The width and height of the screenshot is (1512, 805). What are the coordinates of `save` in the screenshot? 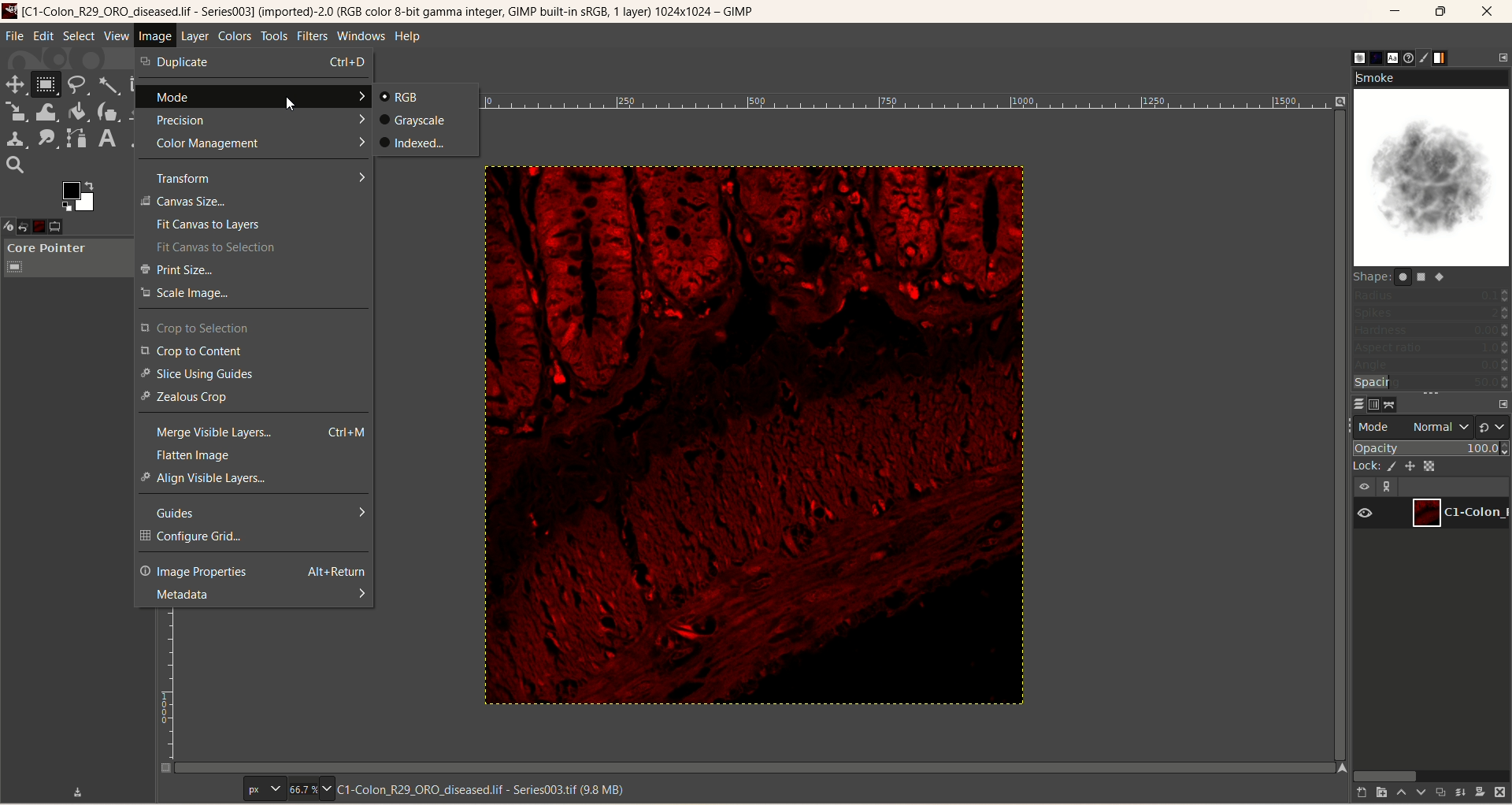 It's located at (76, 792).